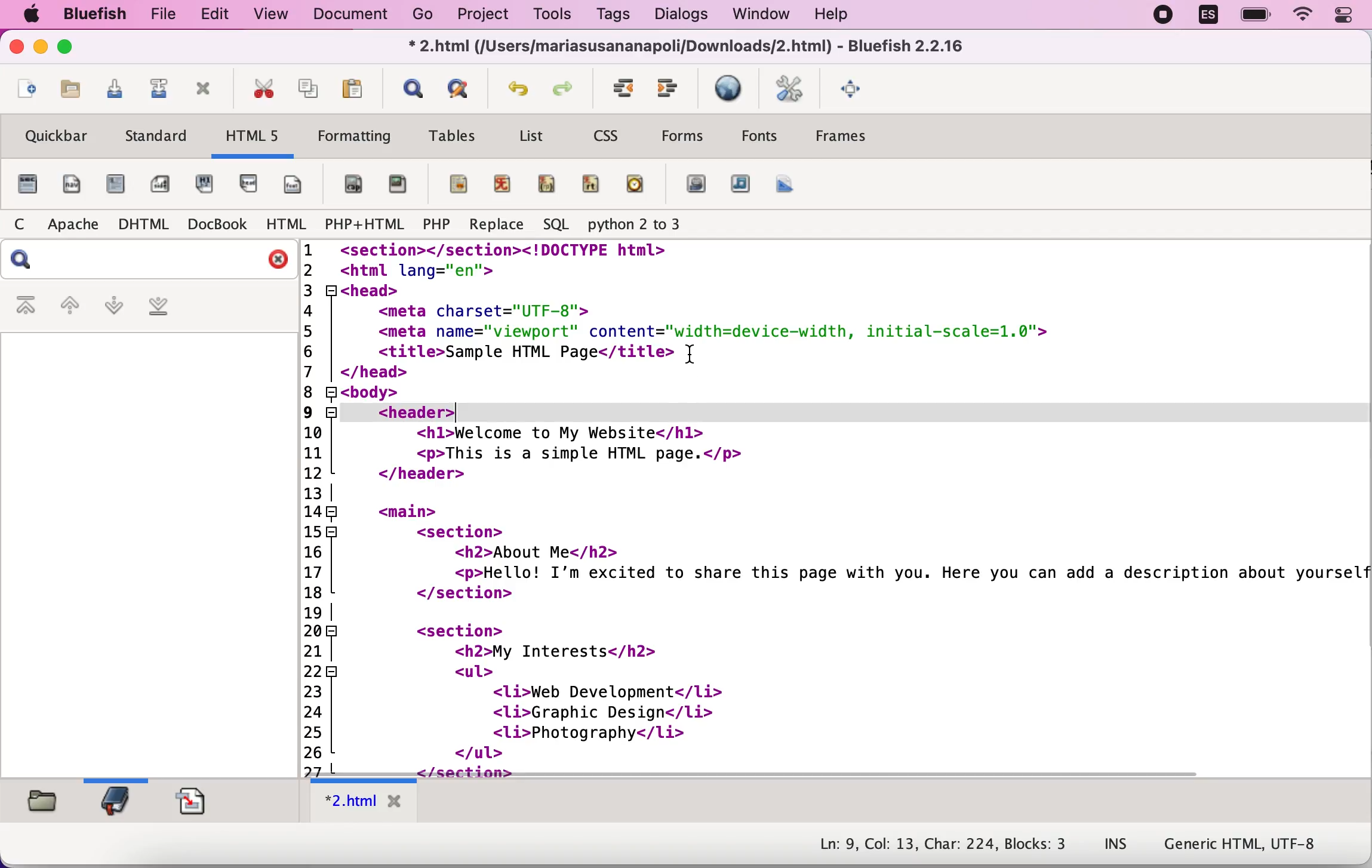 This screenshot has width=1372, height=868. I want to click on paste, so click(352, 88).